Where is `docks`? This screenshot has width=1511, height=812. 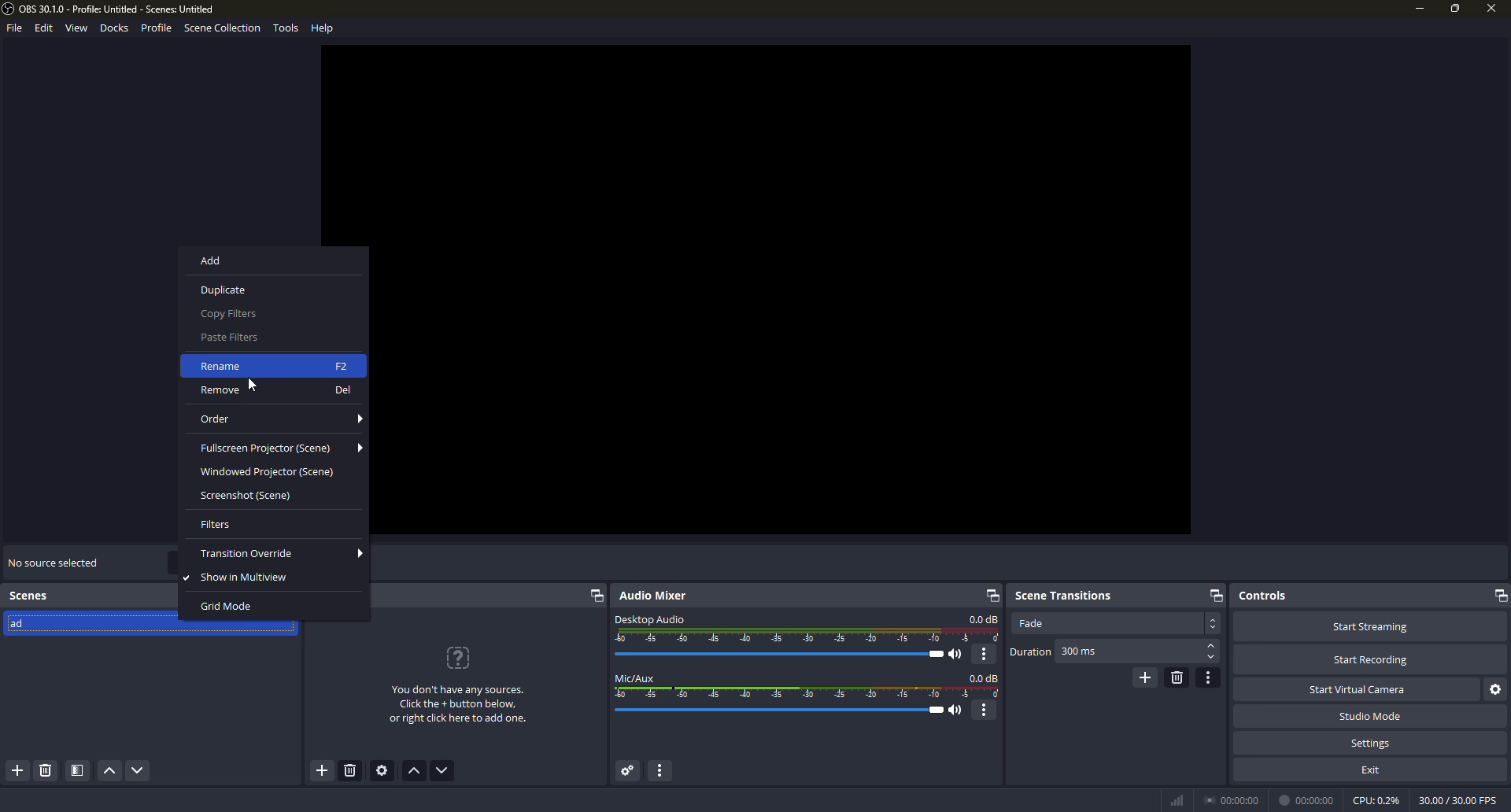 docks is located at coordinates (113, 28).